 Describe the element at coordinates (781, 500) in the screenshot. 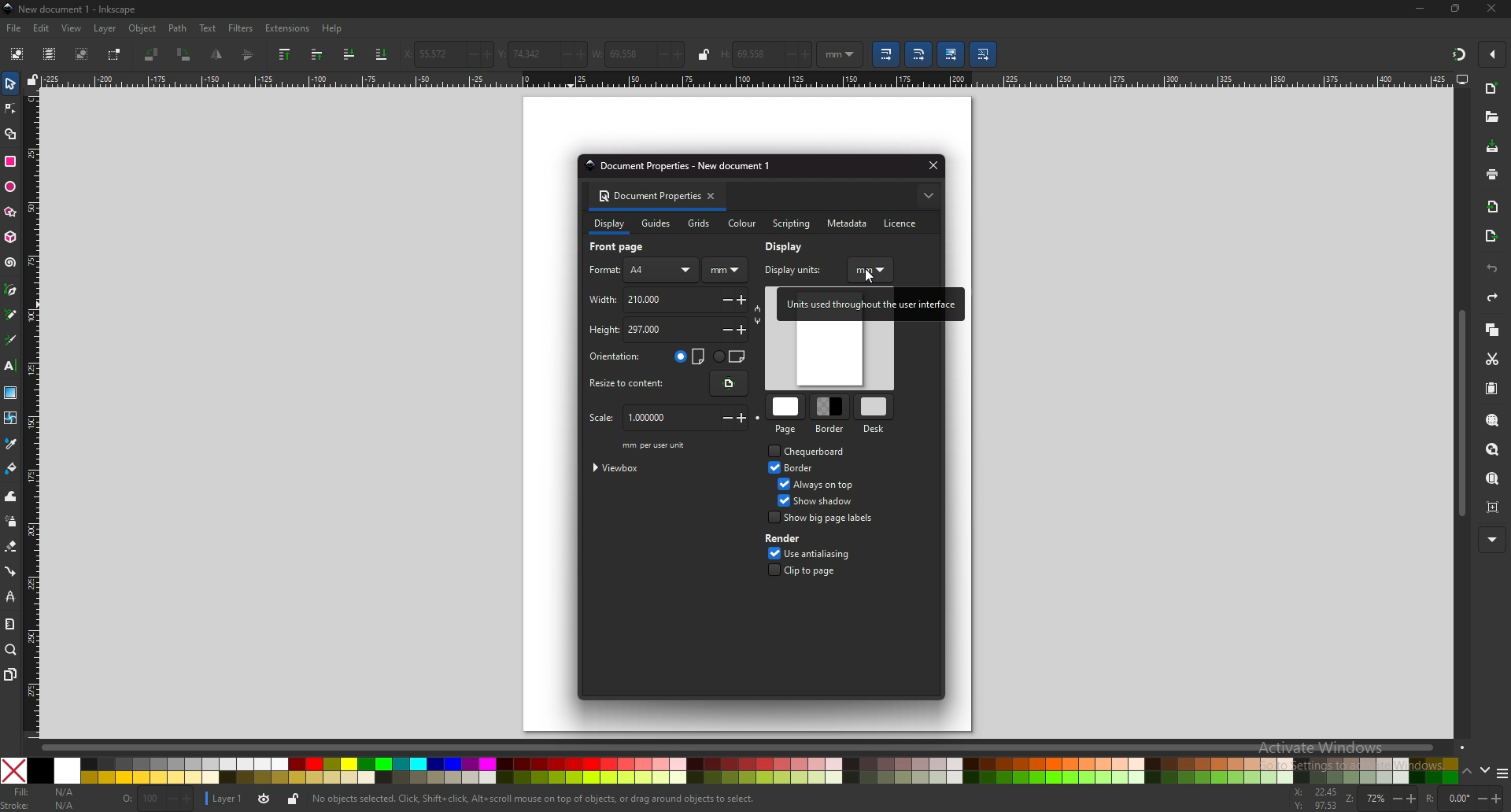

I see `Checkbox` at that location.